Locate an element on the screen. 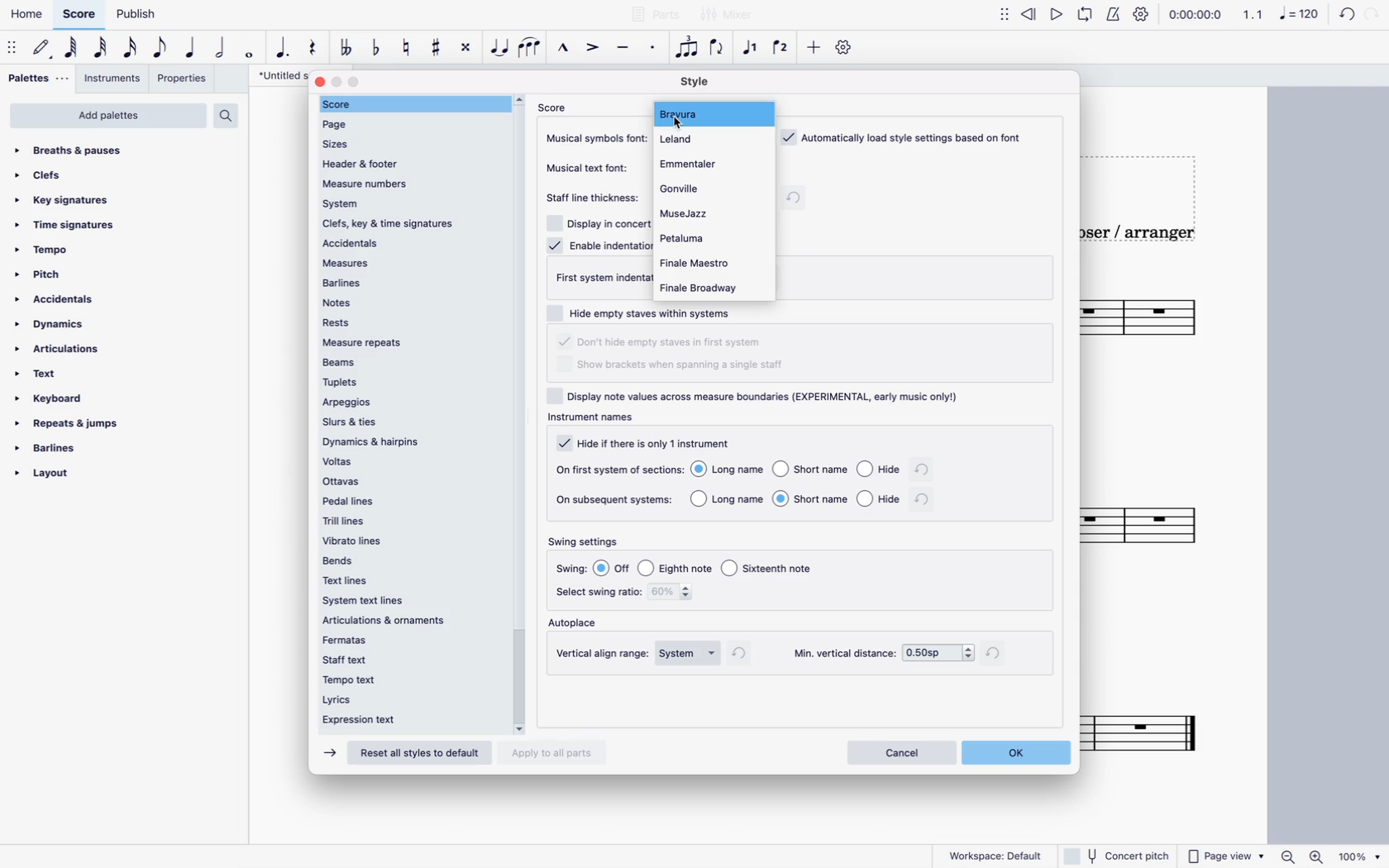  tuplets is located at coordinates (413, 382).